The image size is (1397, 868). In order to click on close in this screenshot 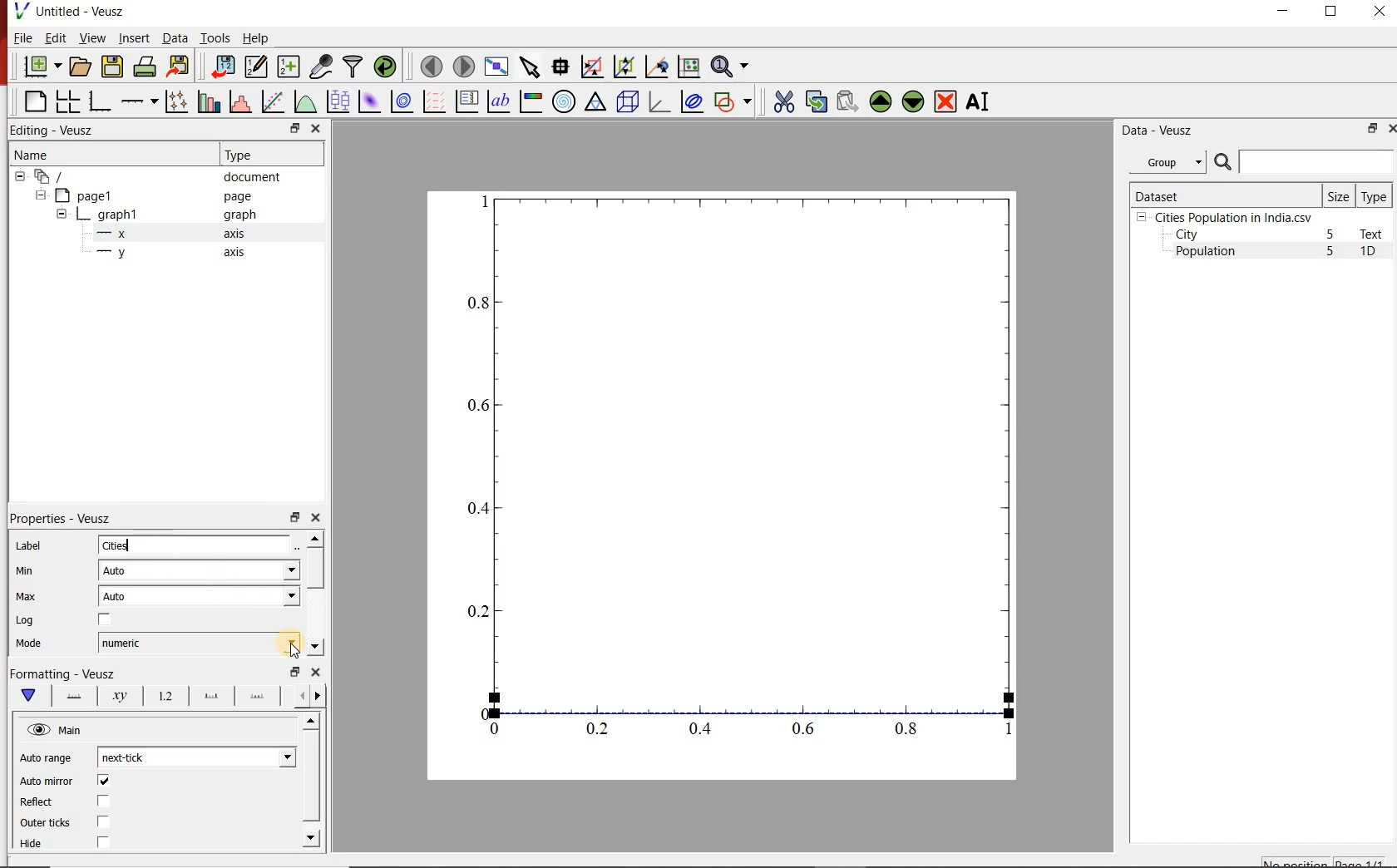, I will do `click(313, 672)`.